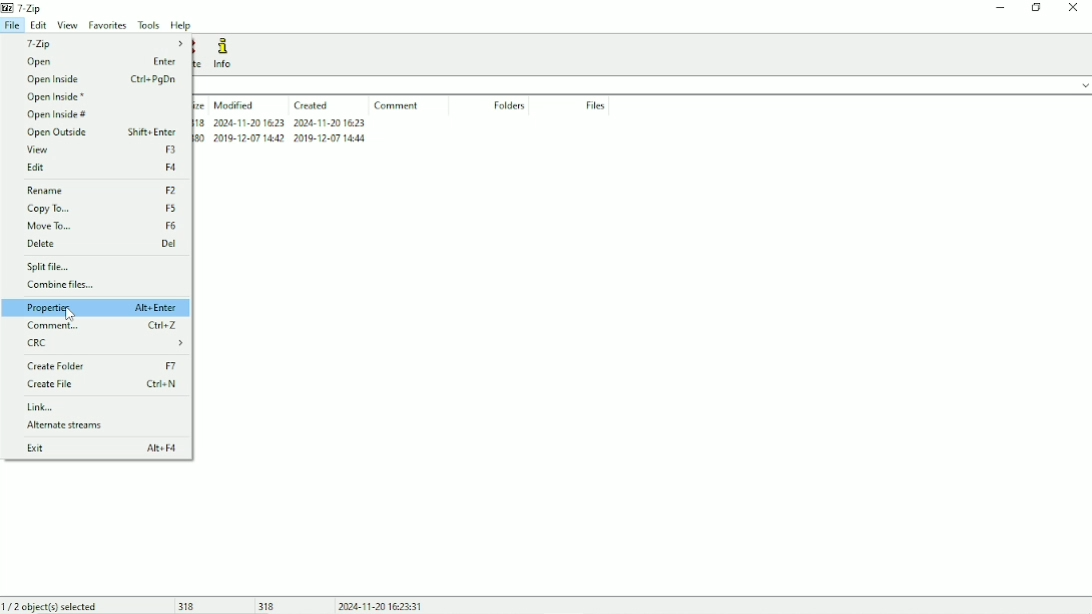 Image resolution: width=1092 pixels, height=614 pixels. Describe the element at coordinates (63, 115) in the screenshot. I see `Open Inside #` at that location.